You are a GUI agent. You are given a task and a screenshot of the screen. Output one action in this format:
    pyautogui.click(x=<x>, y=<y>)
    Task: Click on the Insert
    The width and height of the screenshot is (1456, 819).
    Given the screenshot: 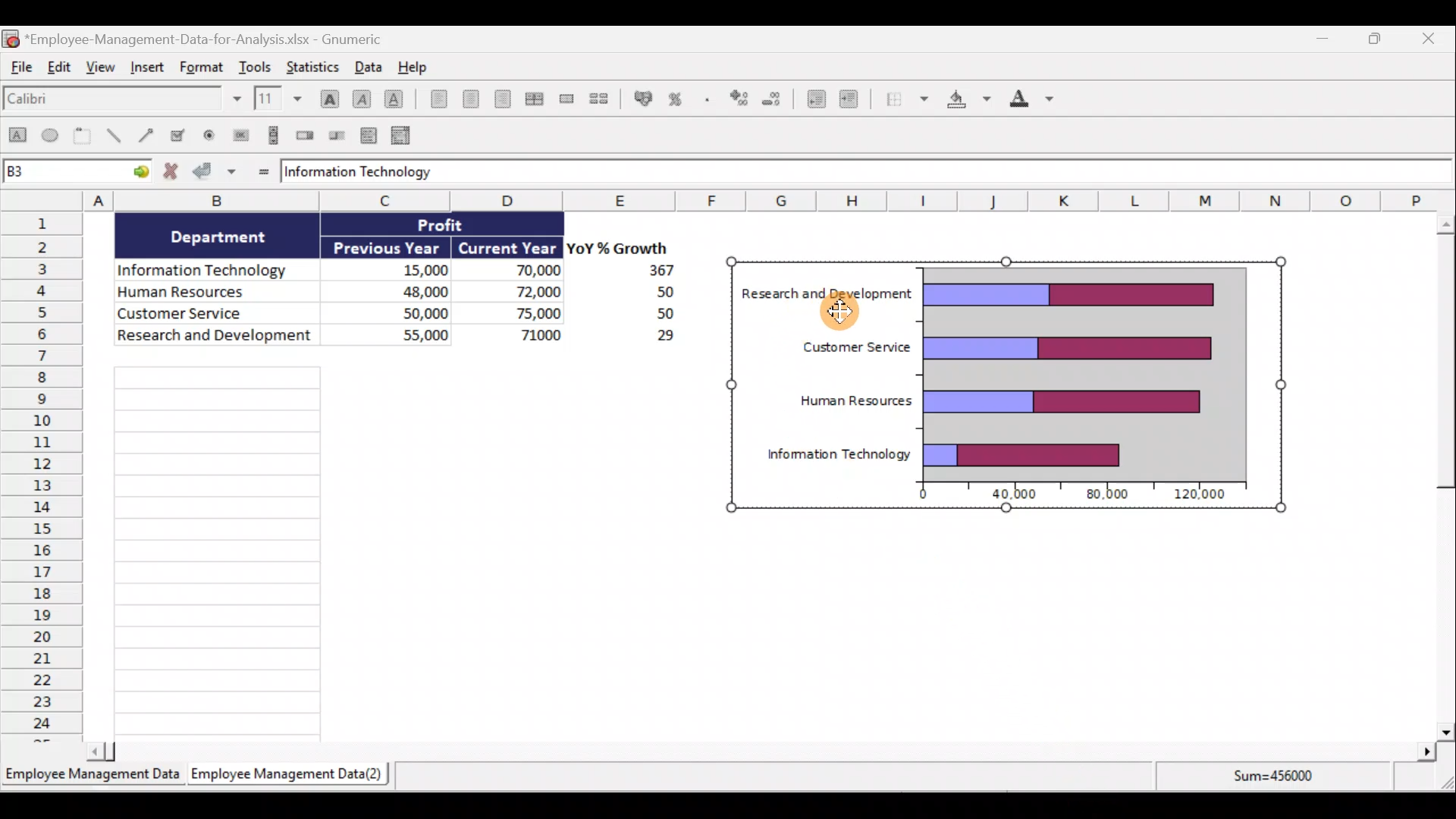 What is the action you would take?
    pyautogui.click(x=149, y=67)
    